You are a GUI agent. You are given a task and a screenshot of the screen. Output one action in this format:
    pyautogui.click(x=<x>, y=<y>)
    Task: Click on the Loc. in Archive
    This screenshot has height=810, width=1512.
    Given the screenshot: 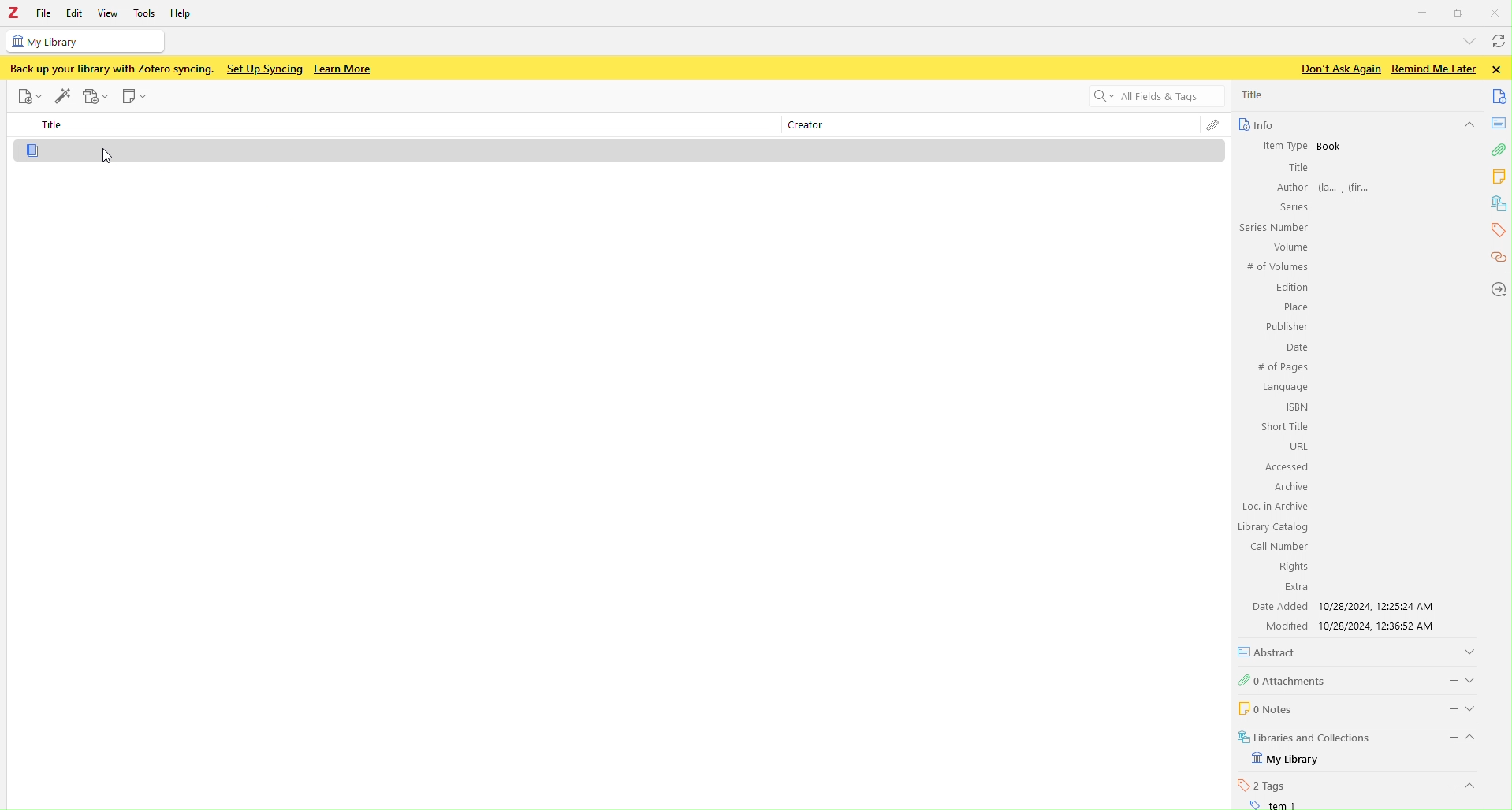 What is the action you would take?
    pyautogui.click(x=1276, y=507)
    